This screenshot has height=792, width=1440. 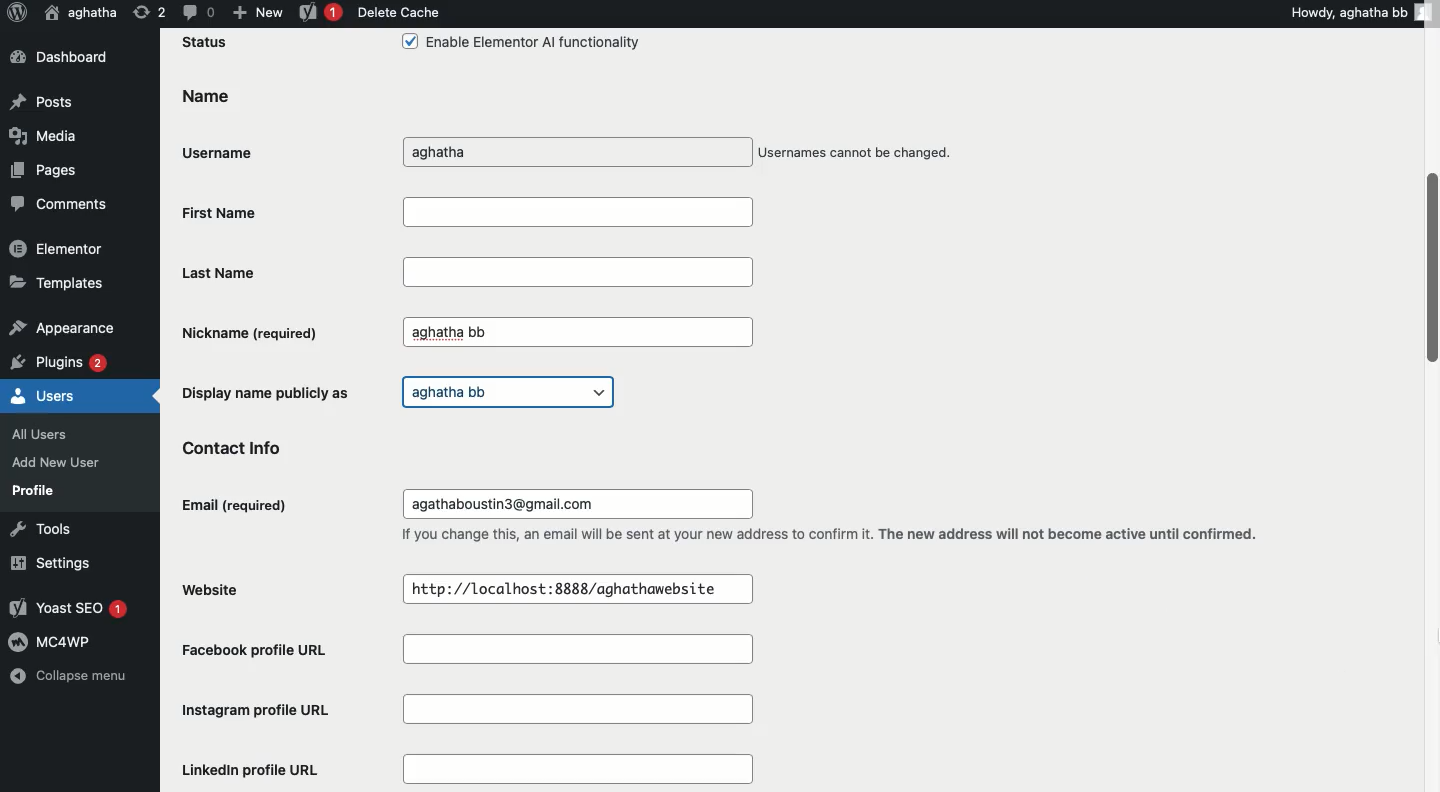 What do you see at coordinates (206, 43) in the screenshot?
I see `Status` at bounding box center [206, 43].